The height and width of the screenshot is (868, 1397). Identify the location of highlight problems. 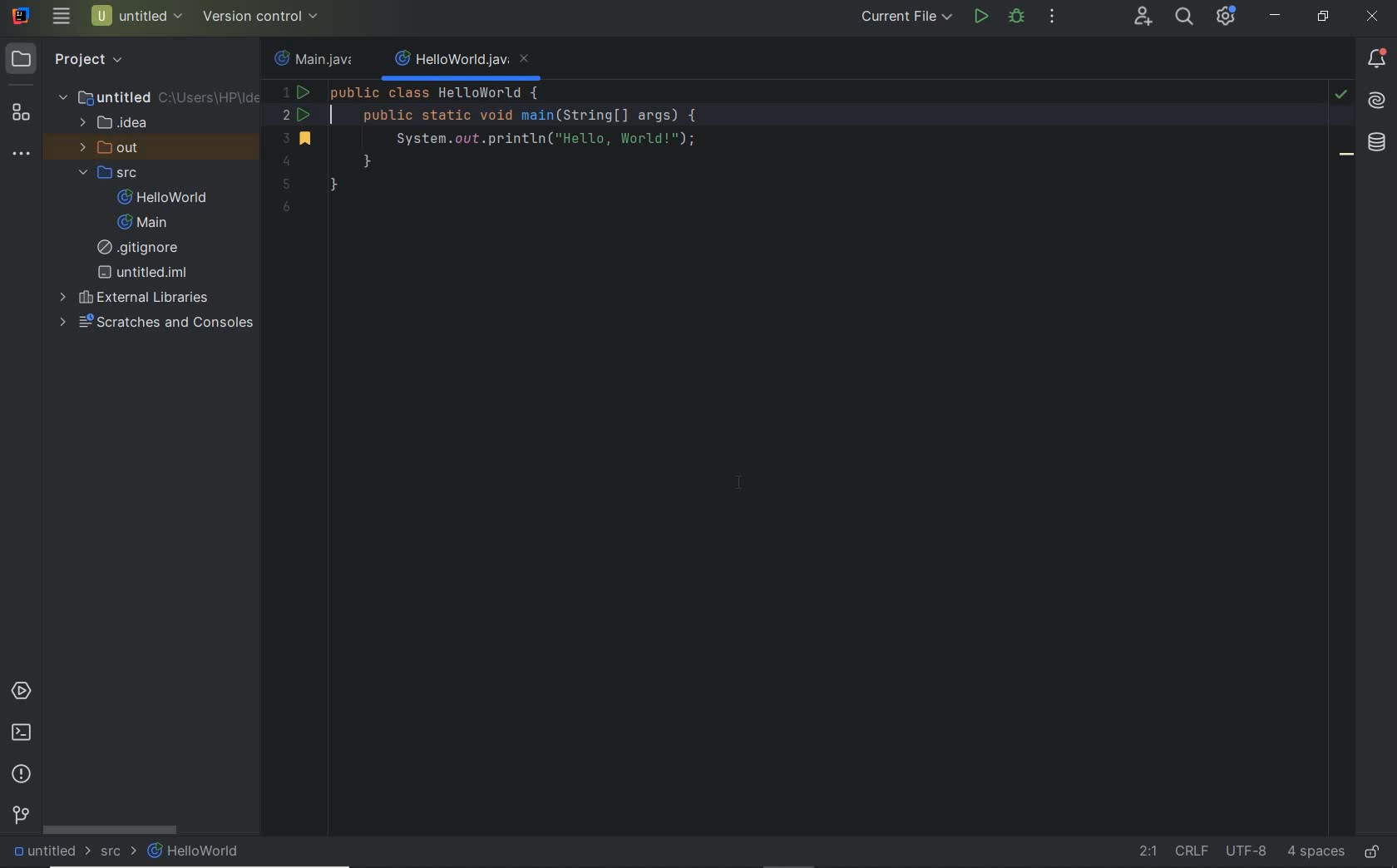
(1340, 95).